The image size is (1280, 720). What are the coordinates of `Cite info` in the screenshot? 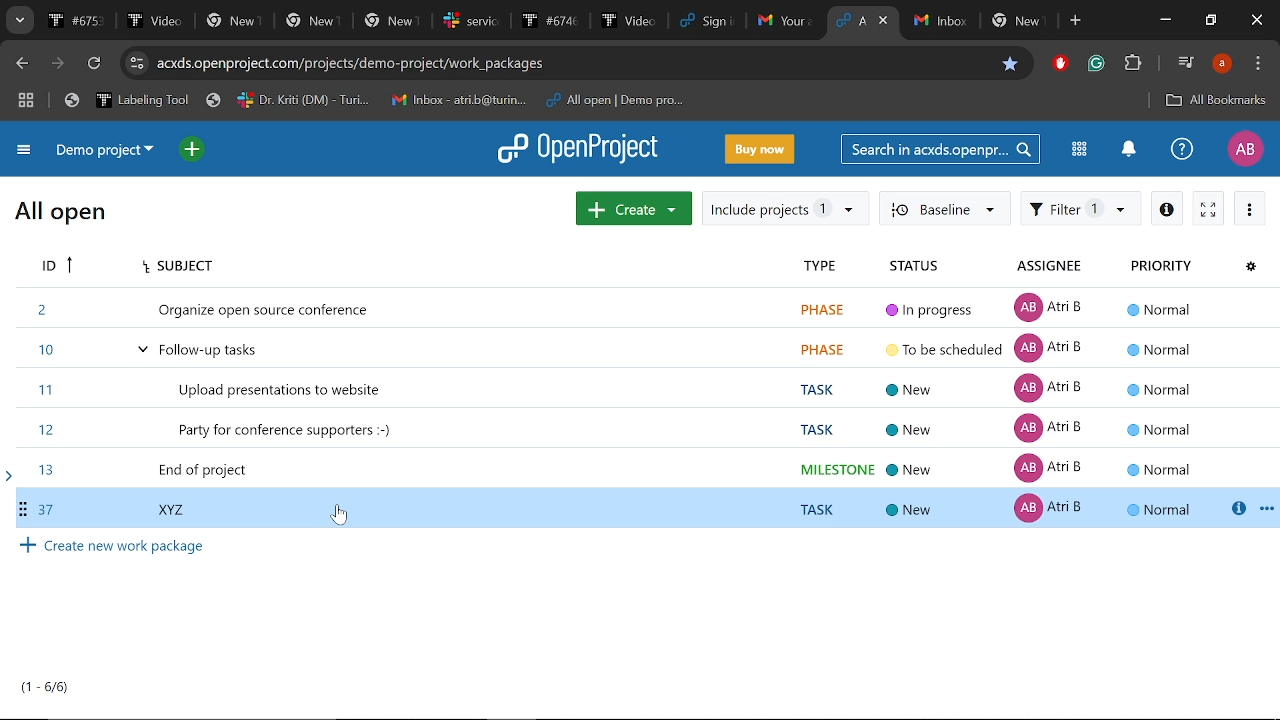 It's located at (137, 63).